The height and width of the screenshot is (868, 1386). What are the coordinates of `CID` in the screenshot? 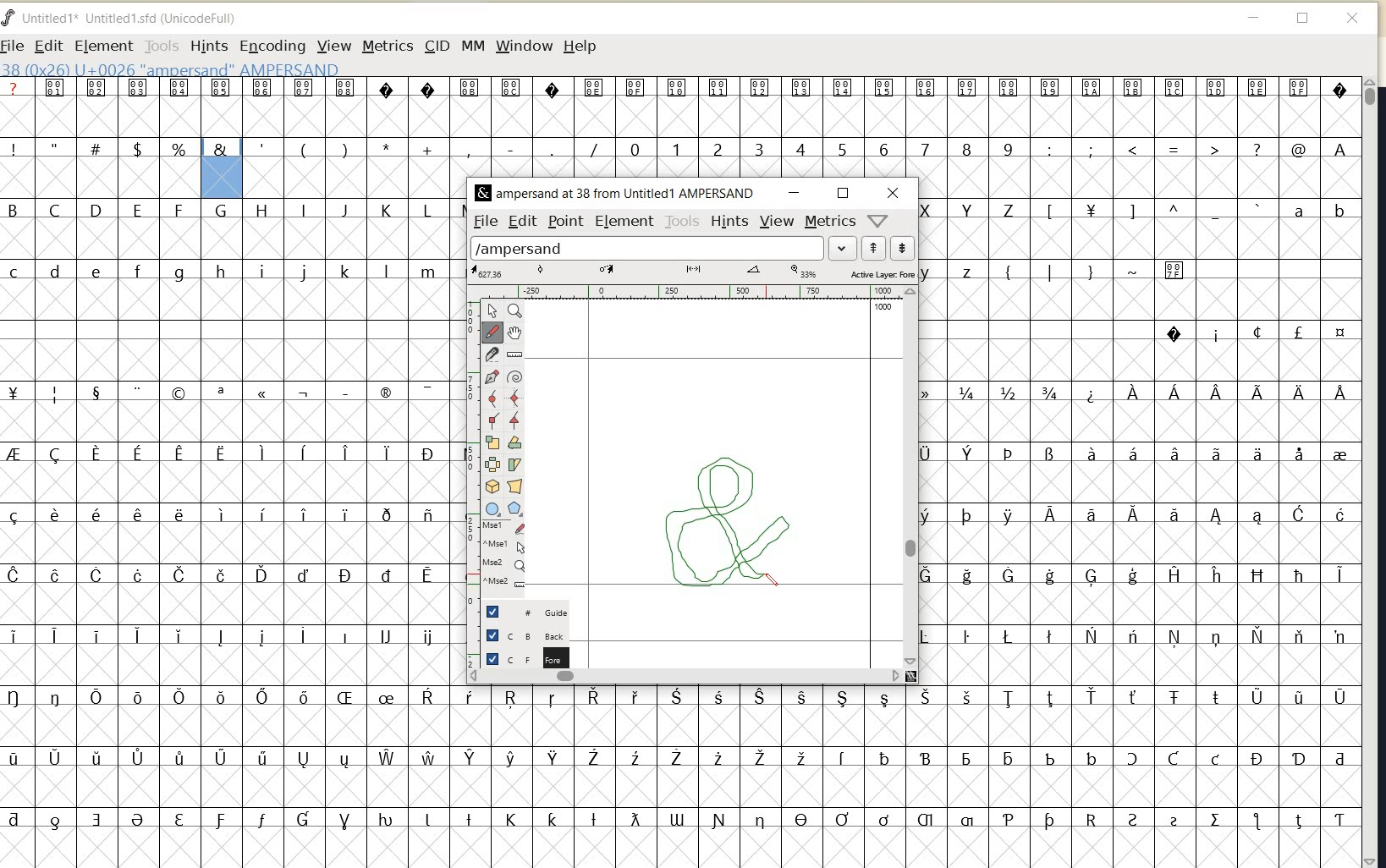 It's located at (435, 45).